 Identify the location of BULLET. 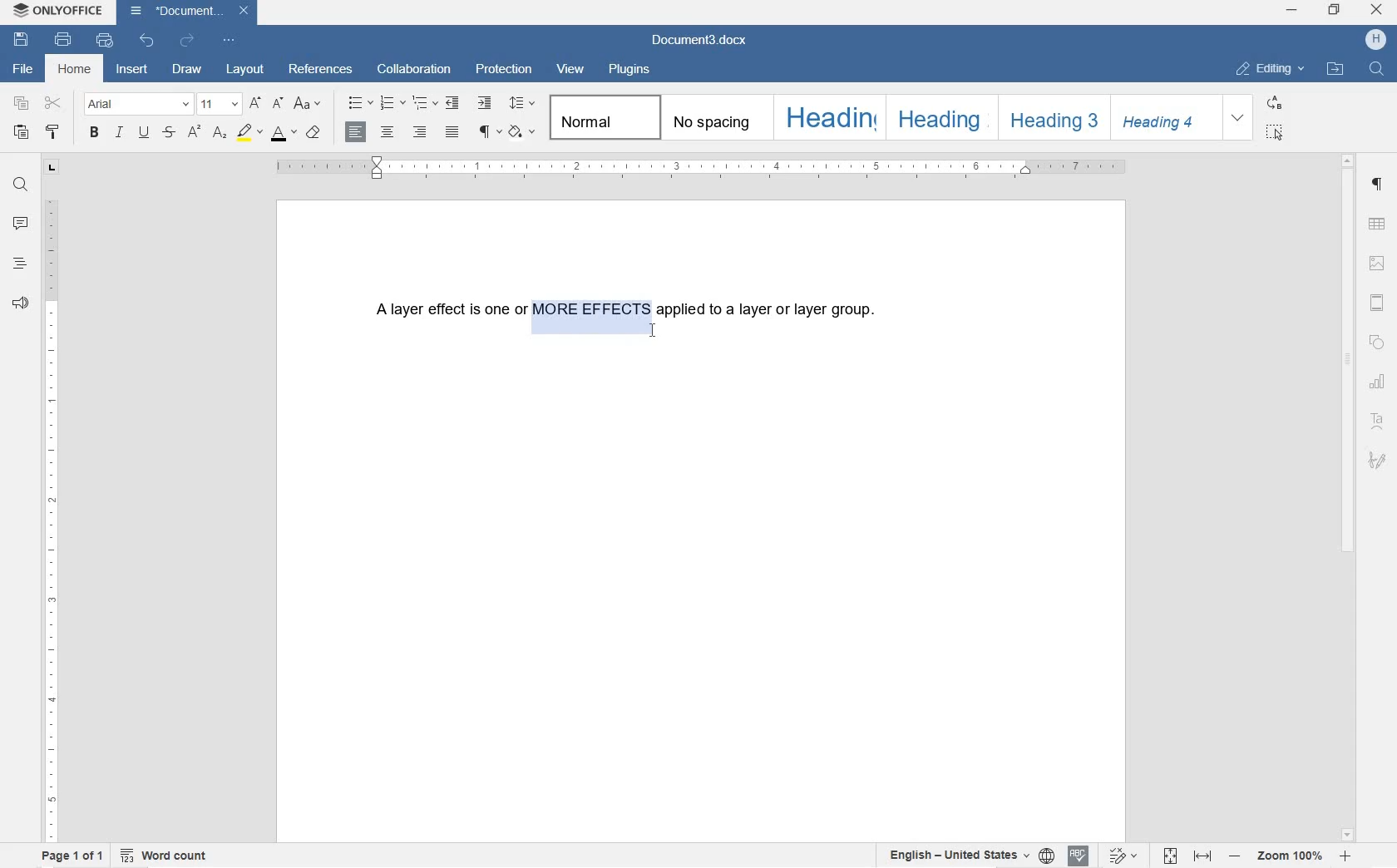
(359, 104).